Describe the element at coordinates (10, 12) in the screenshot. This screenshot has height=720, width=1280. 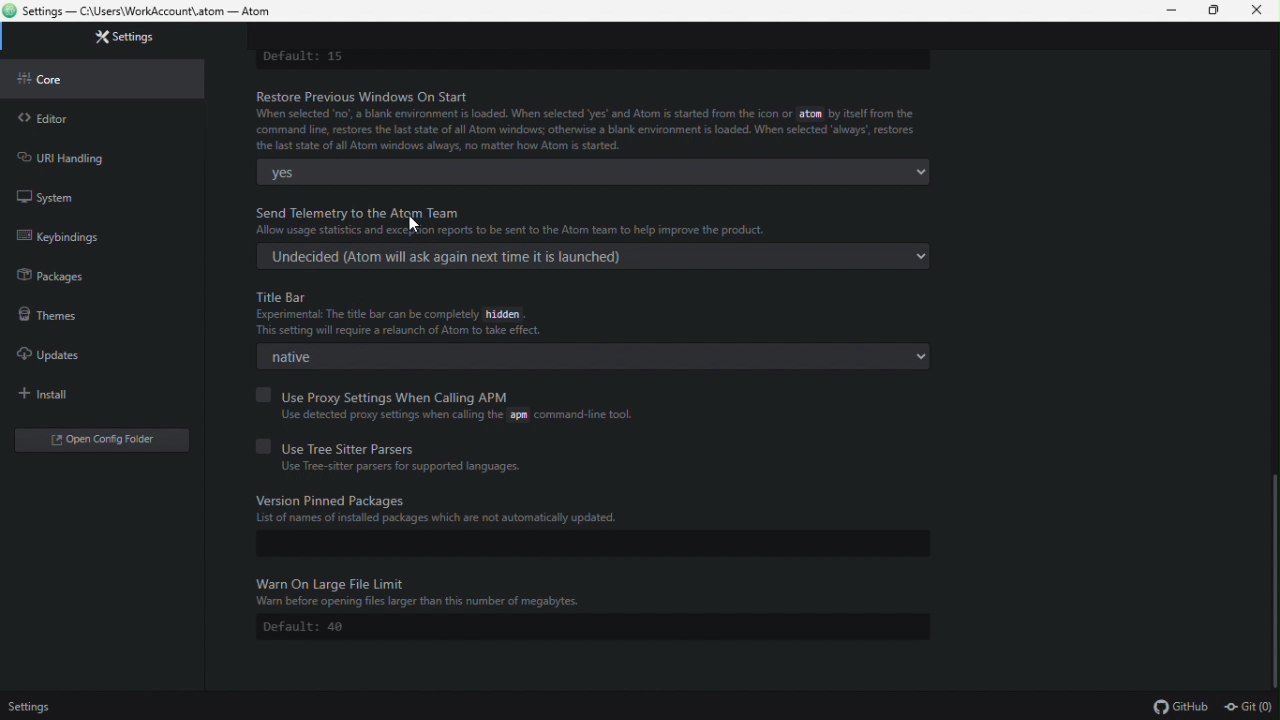
I see `atom logo` at that location.